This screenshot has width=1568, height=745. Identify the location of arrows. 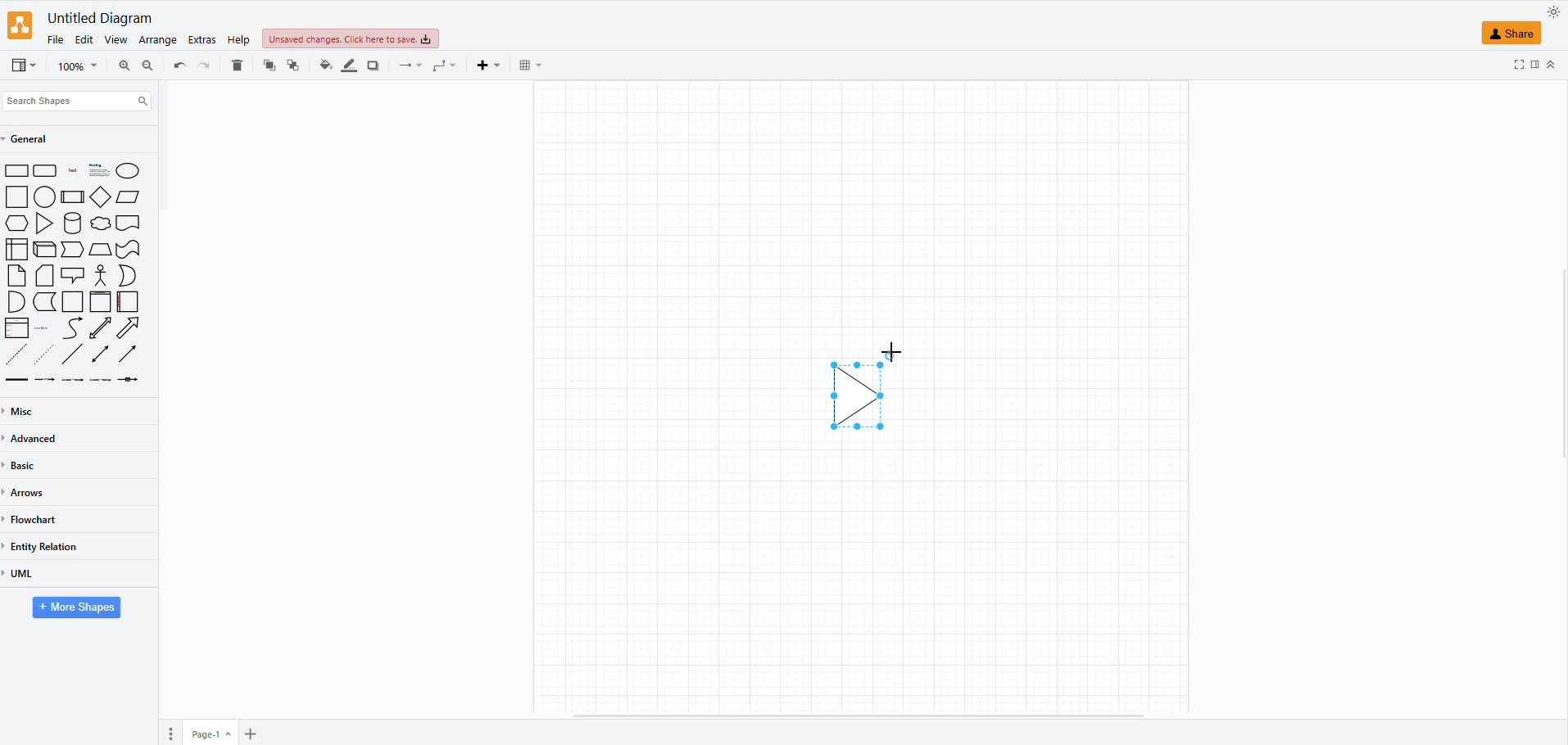
(32, 492).